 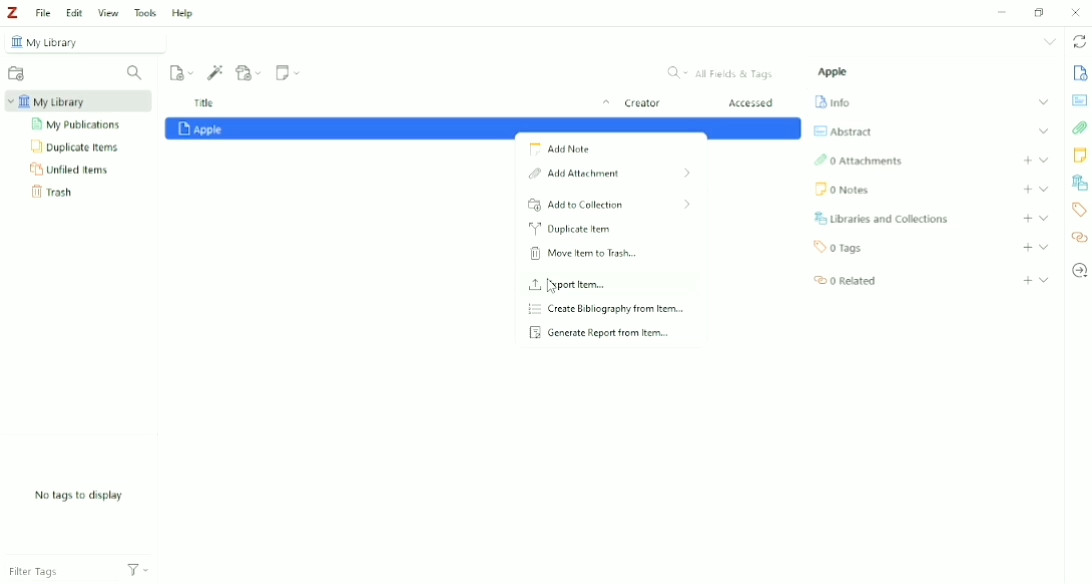 I want to click on Related, so click(x=845, y=281).